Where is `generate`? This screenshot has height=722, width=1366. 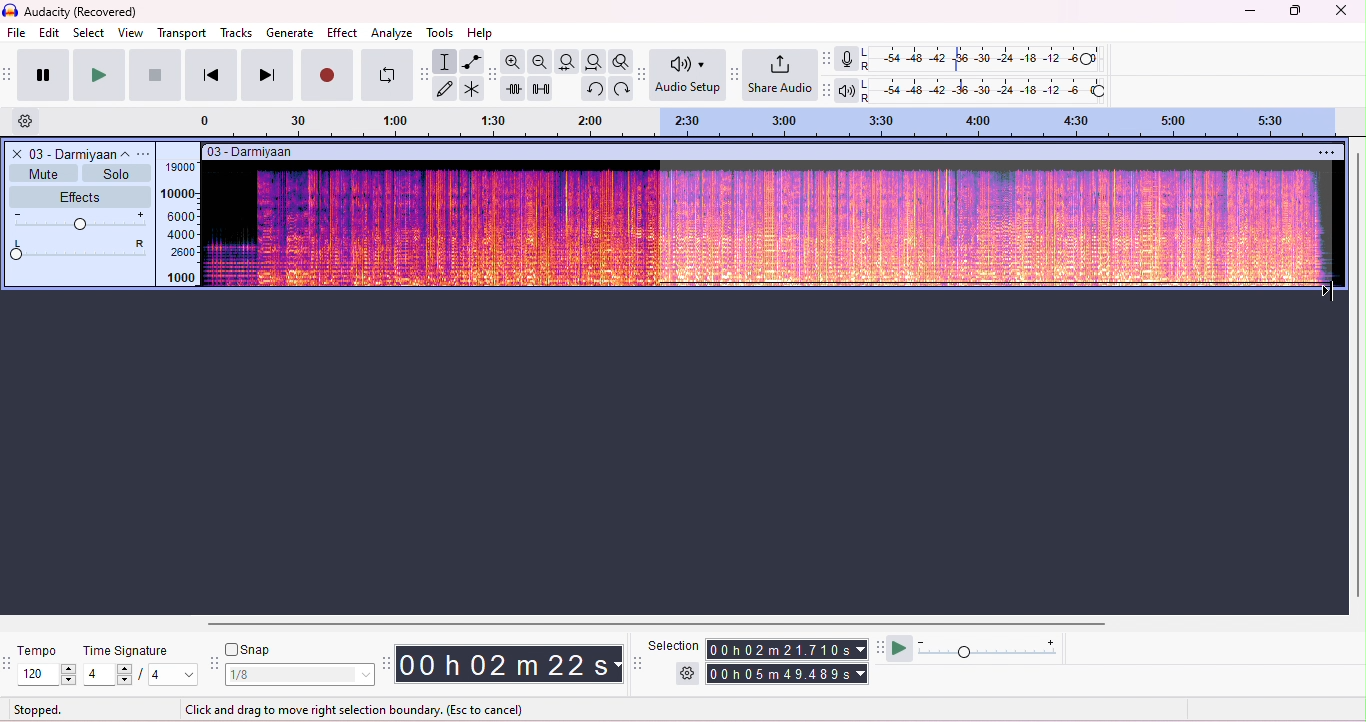 generate is located at coordinates (290, 32).